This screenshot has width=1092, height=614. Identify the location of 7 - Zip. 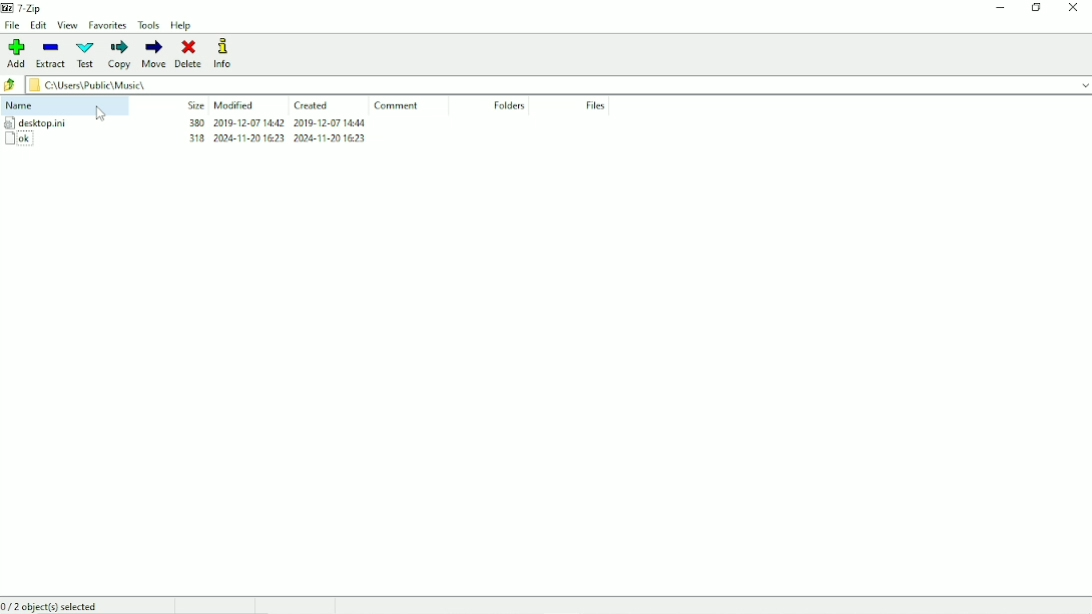
(24, 8).